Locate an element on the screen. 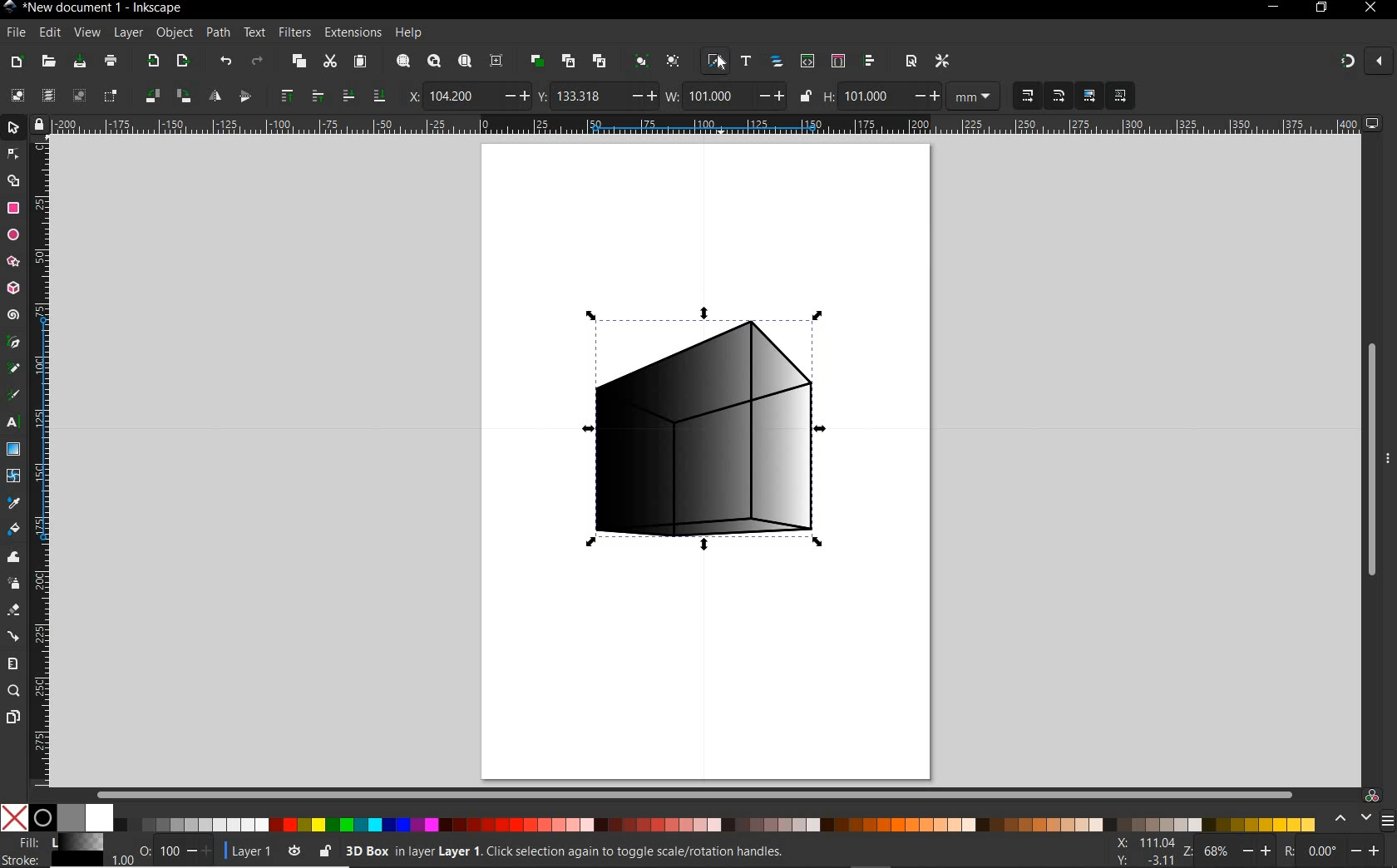 The image size is (1397, 868). OPEN ALIGN AND DISTRIBUTE is located at coordinates (870, 61).